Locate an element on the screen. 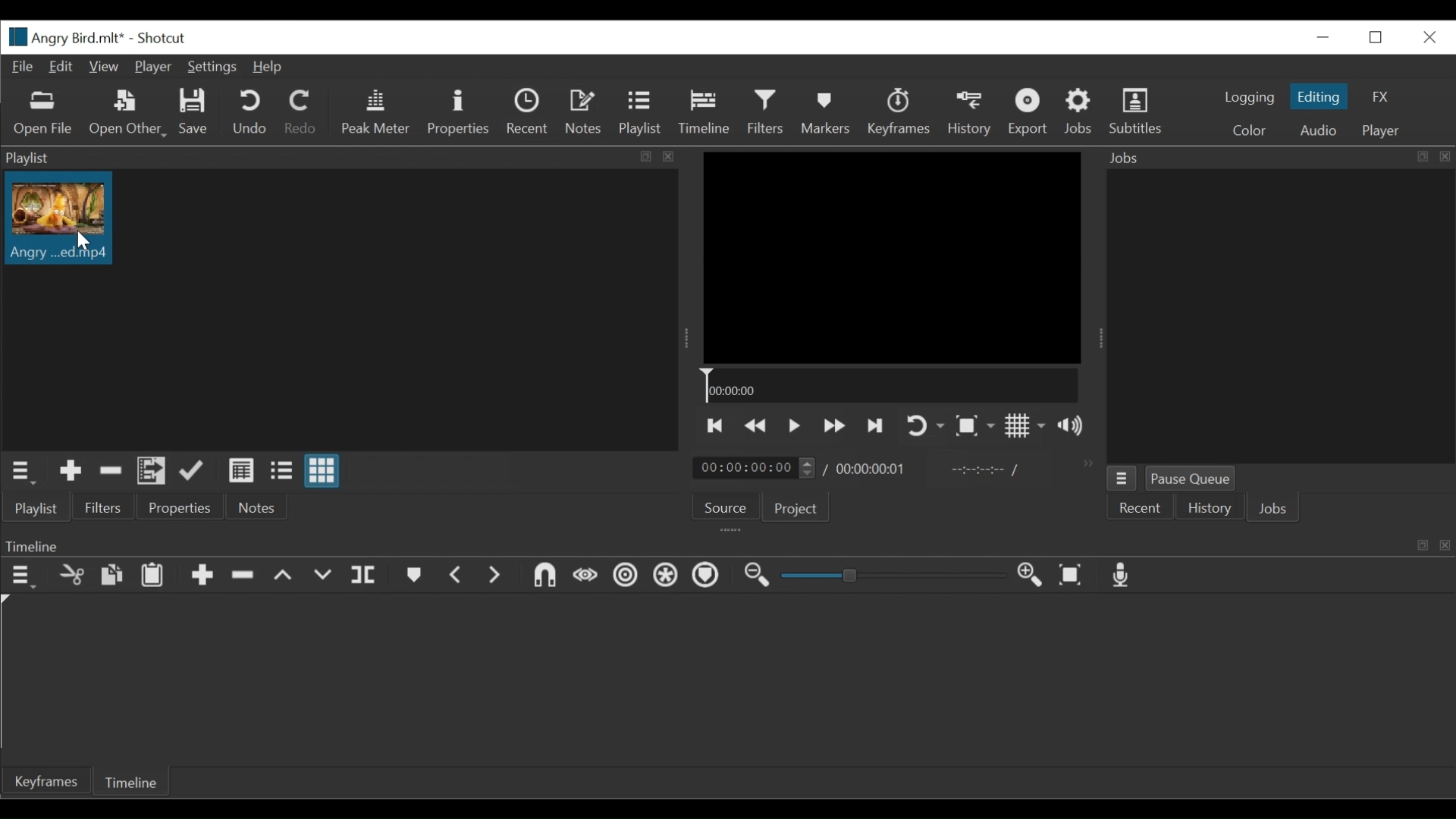 The image size is (1456, 819). Play backwards quickly is located at coordinates (757, 426).